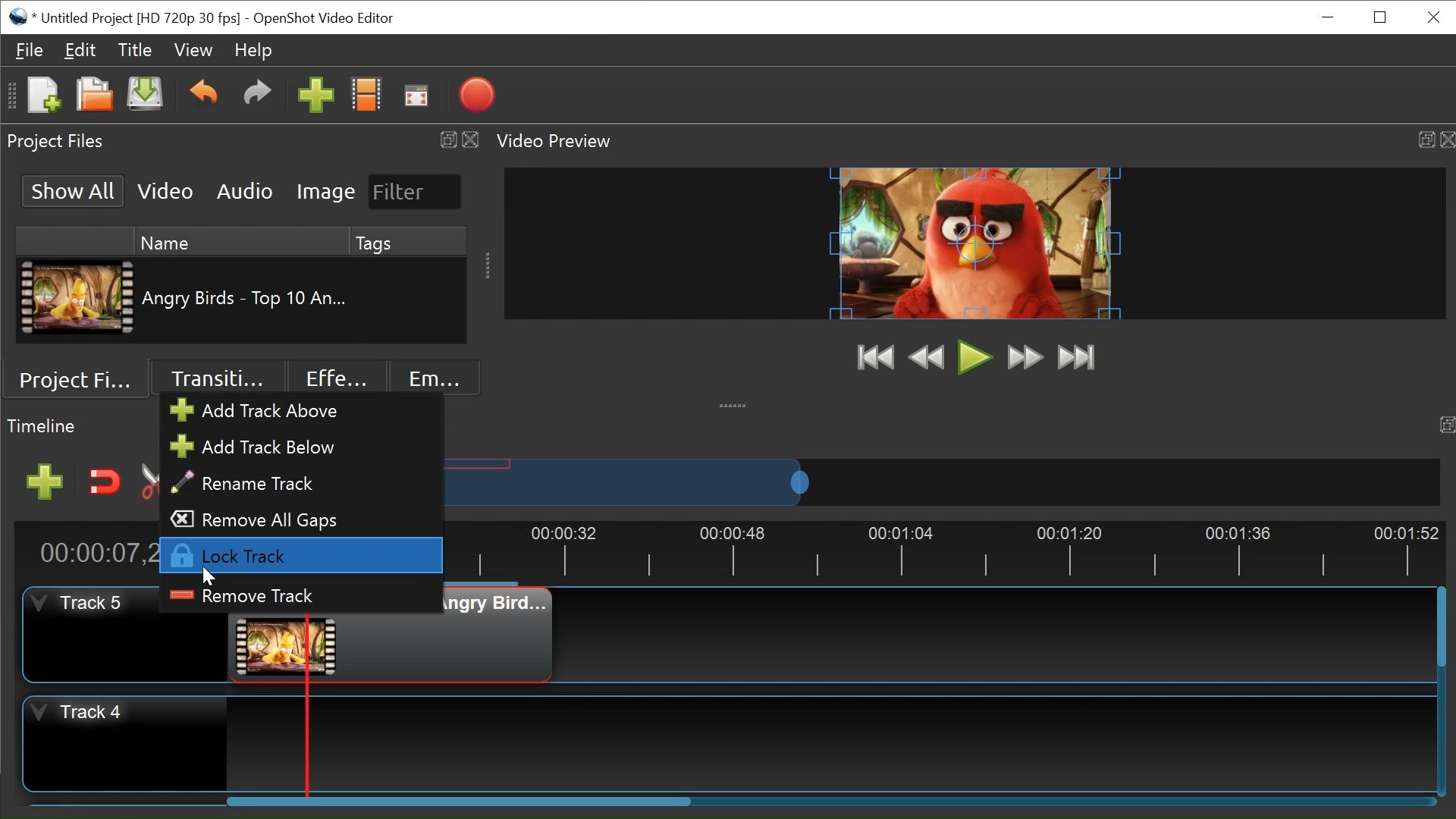  What do you see at coordinates (331, 378) in the screenshot?
I see `Effects` at bounding box center [331, 378].